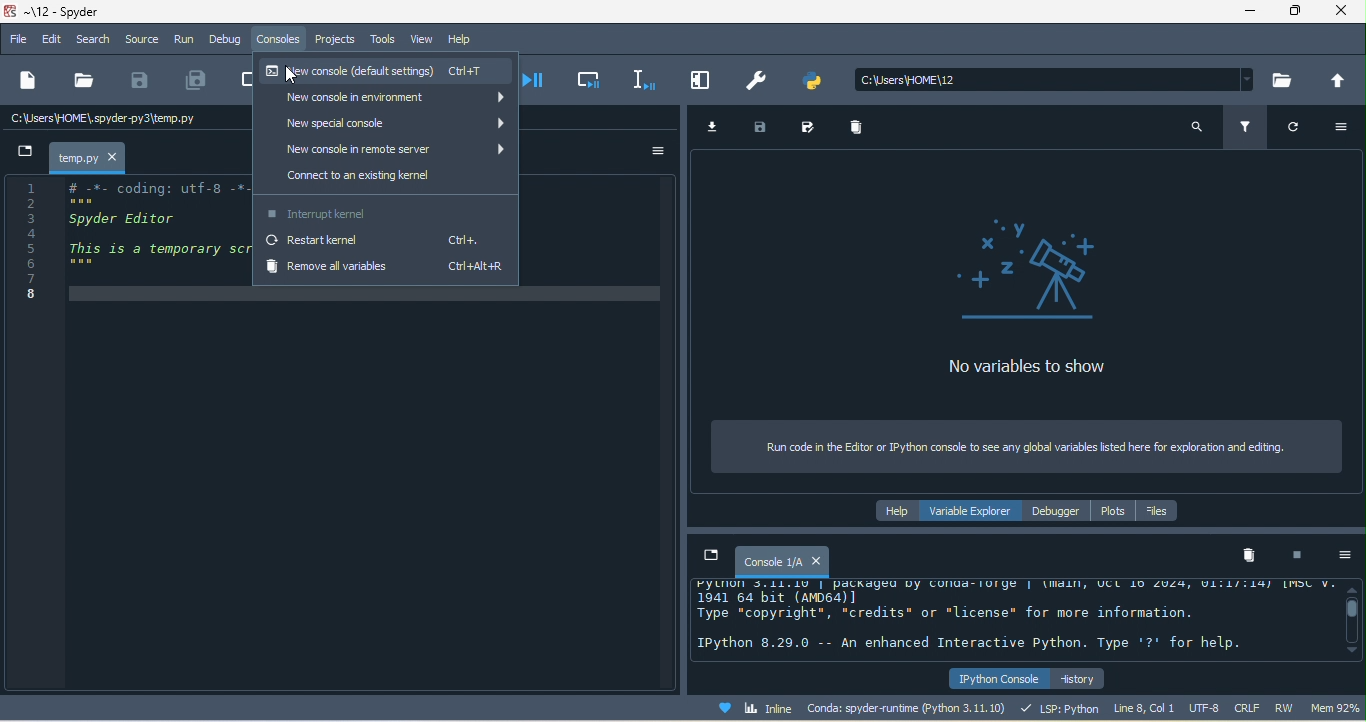 The width and height of the screenshot is (1366, 722). Describe the element at coordinates (386, 100) in the screenshot. I see `new console in environment` at that location.